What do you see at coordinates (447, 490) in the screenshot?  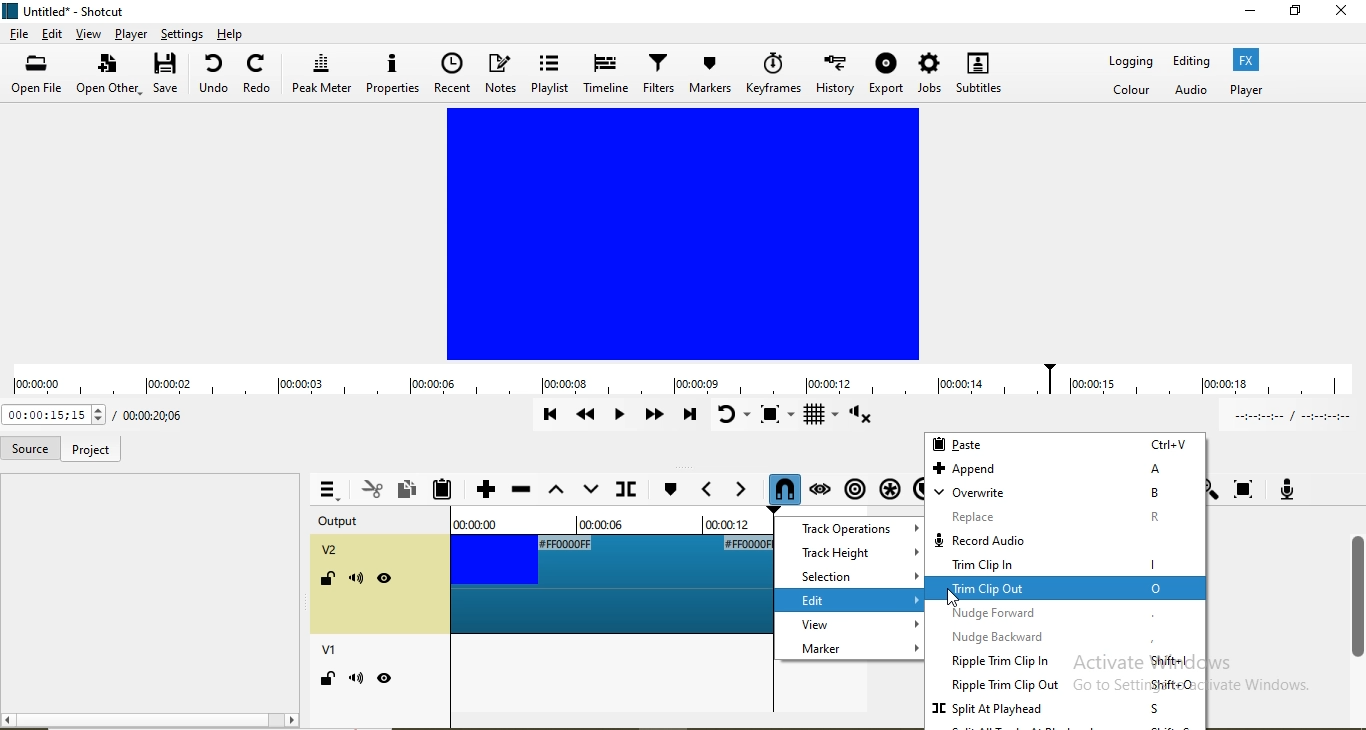 I see `Paste ` at bounding box center [447, 490].